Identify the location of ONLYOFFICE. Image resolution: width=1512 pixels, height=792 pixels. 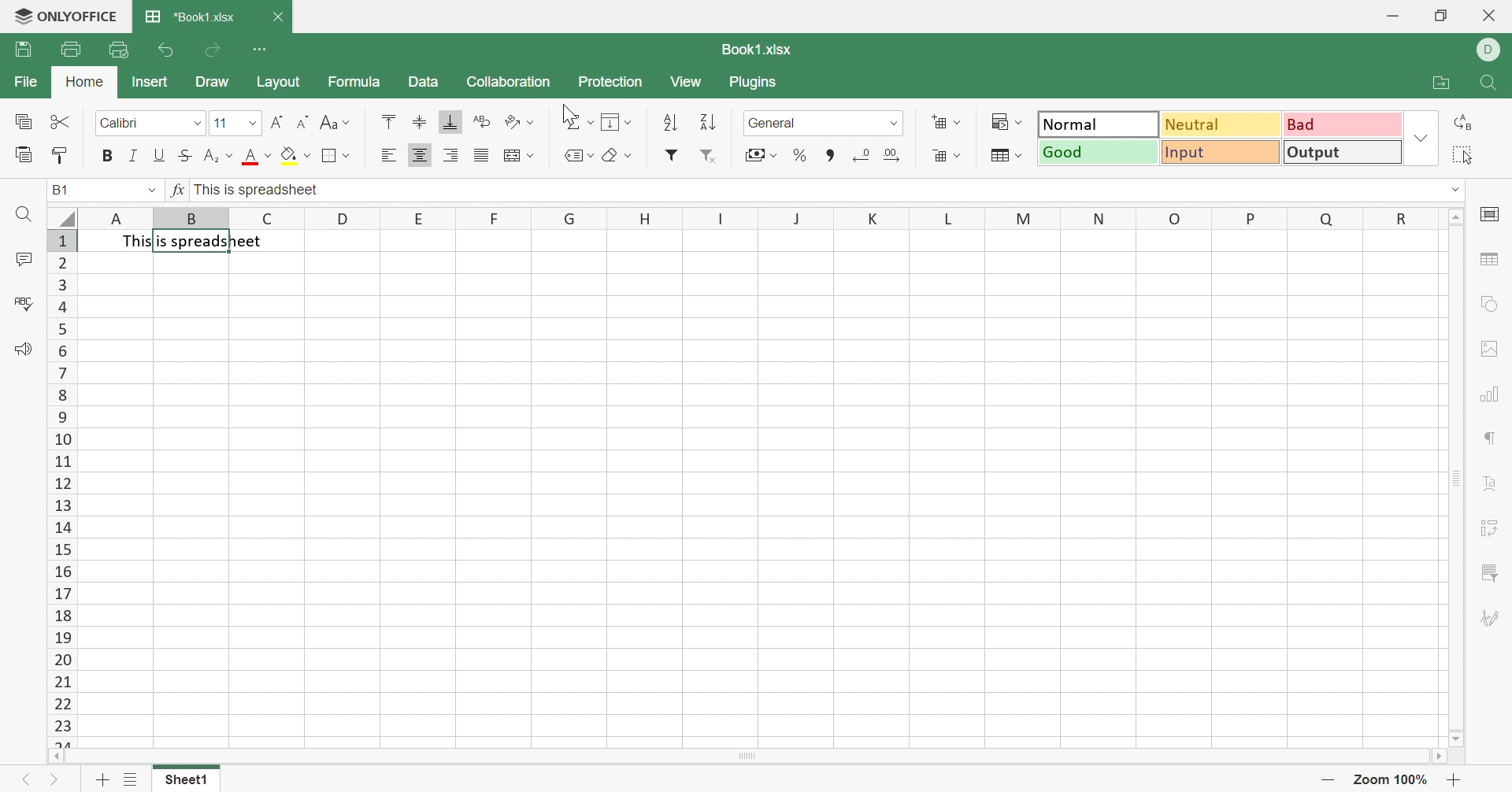
(65, 17).